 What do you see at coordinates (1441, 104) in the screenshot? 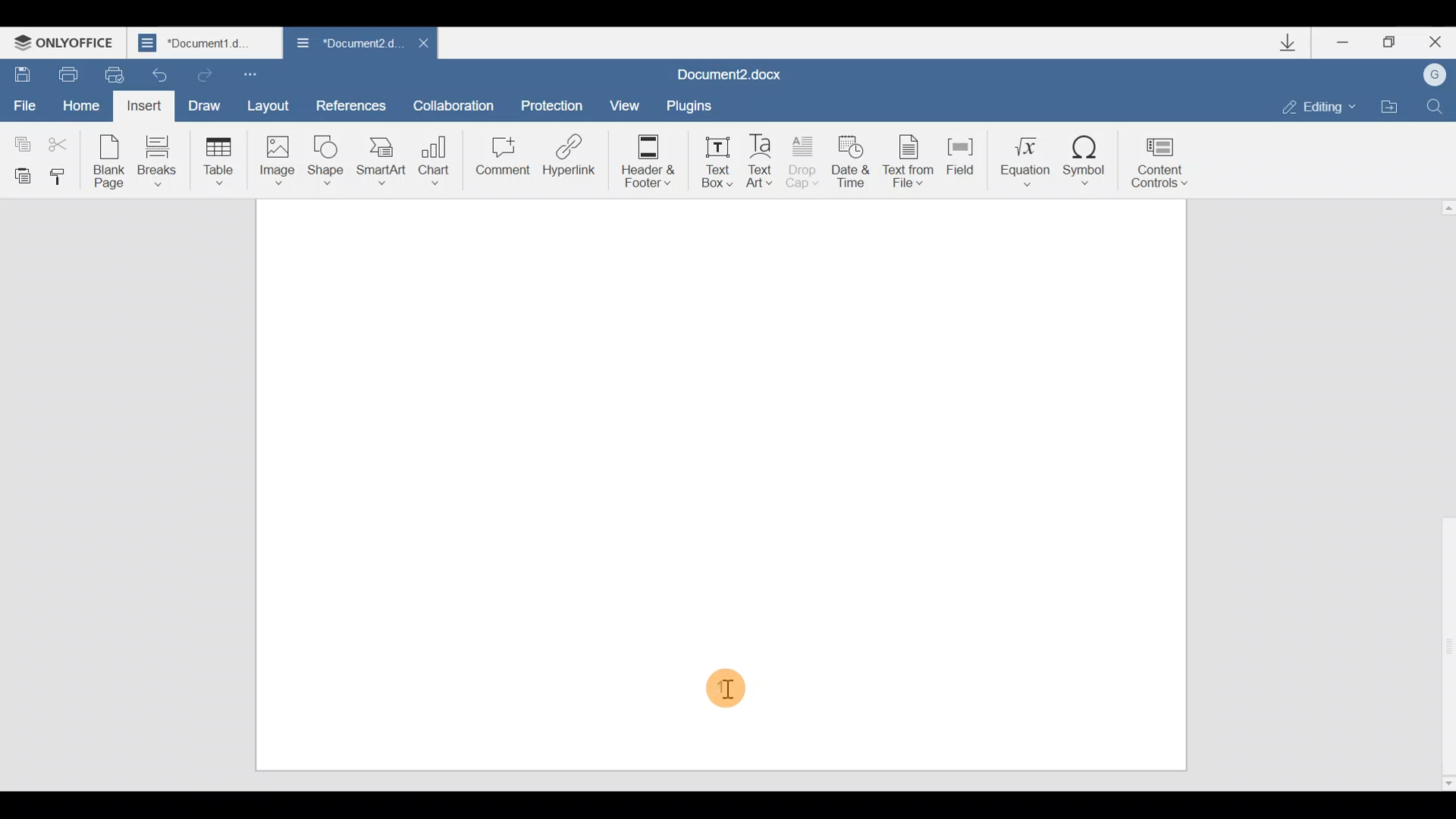
I see `Find` at bounding box center [1441, 104].